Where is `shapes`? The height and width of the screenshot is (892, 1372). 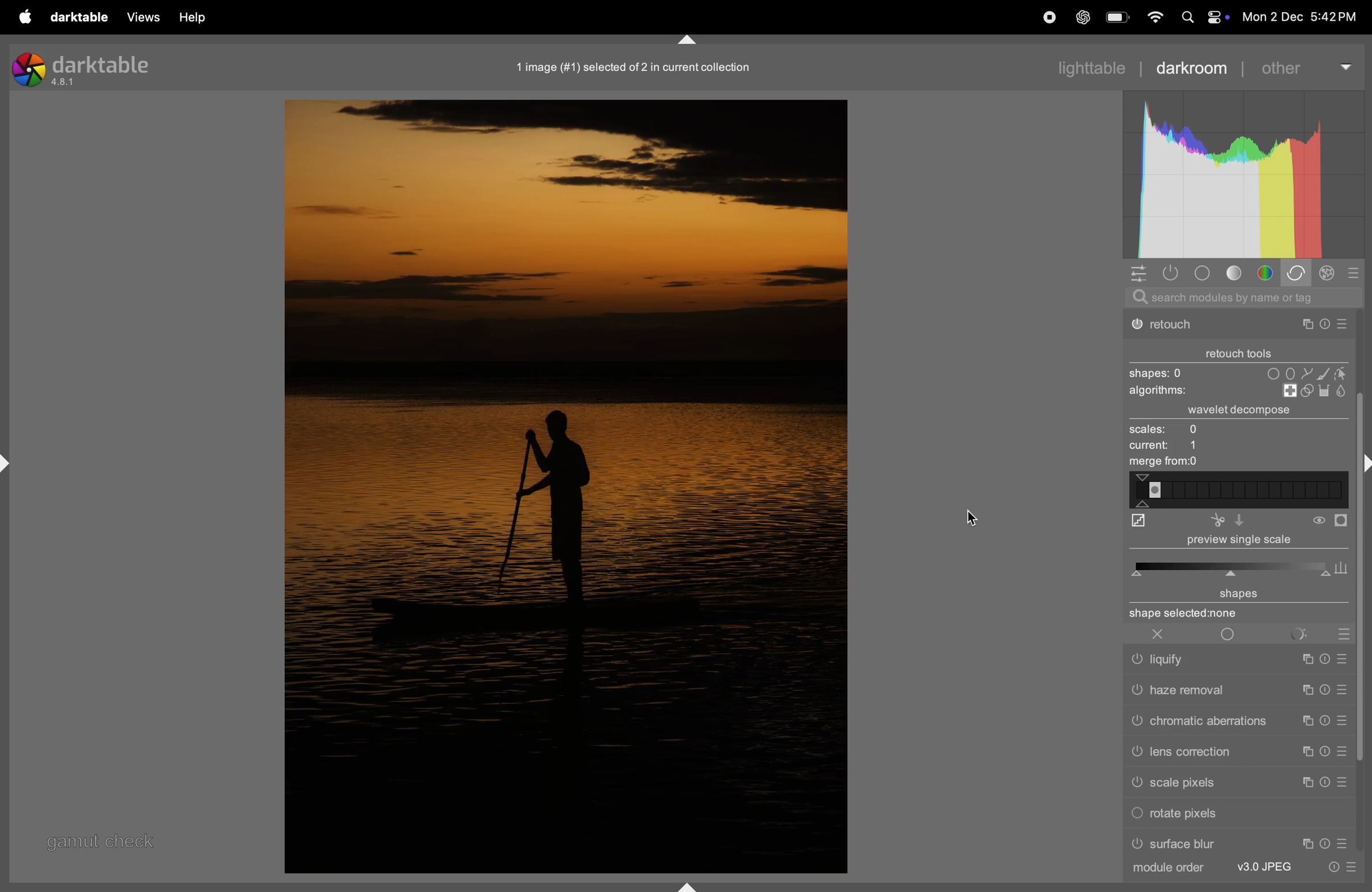
shapes is located at coordinates (1236, 603).